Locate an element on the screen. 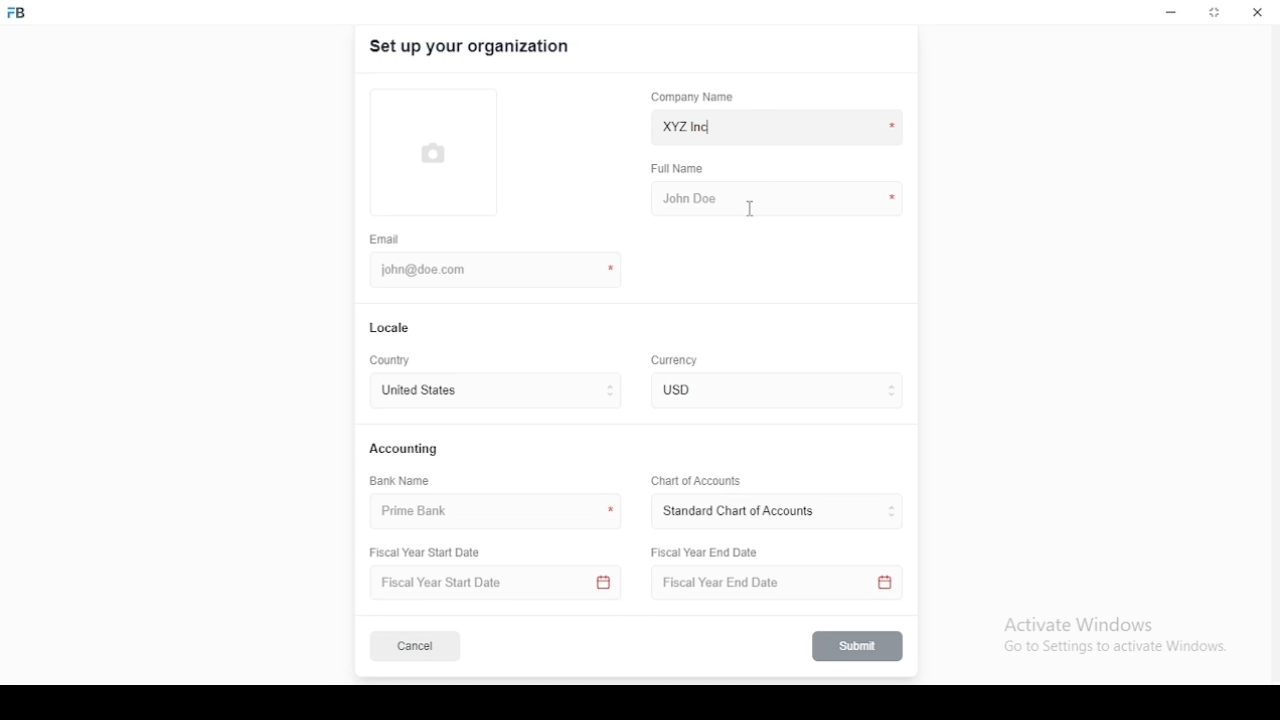 This screenshot has height=720, width=1280. john doe is located at coordinates (777, 197).